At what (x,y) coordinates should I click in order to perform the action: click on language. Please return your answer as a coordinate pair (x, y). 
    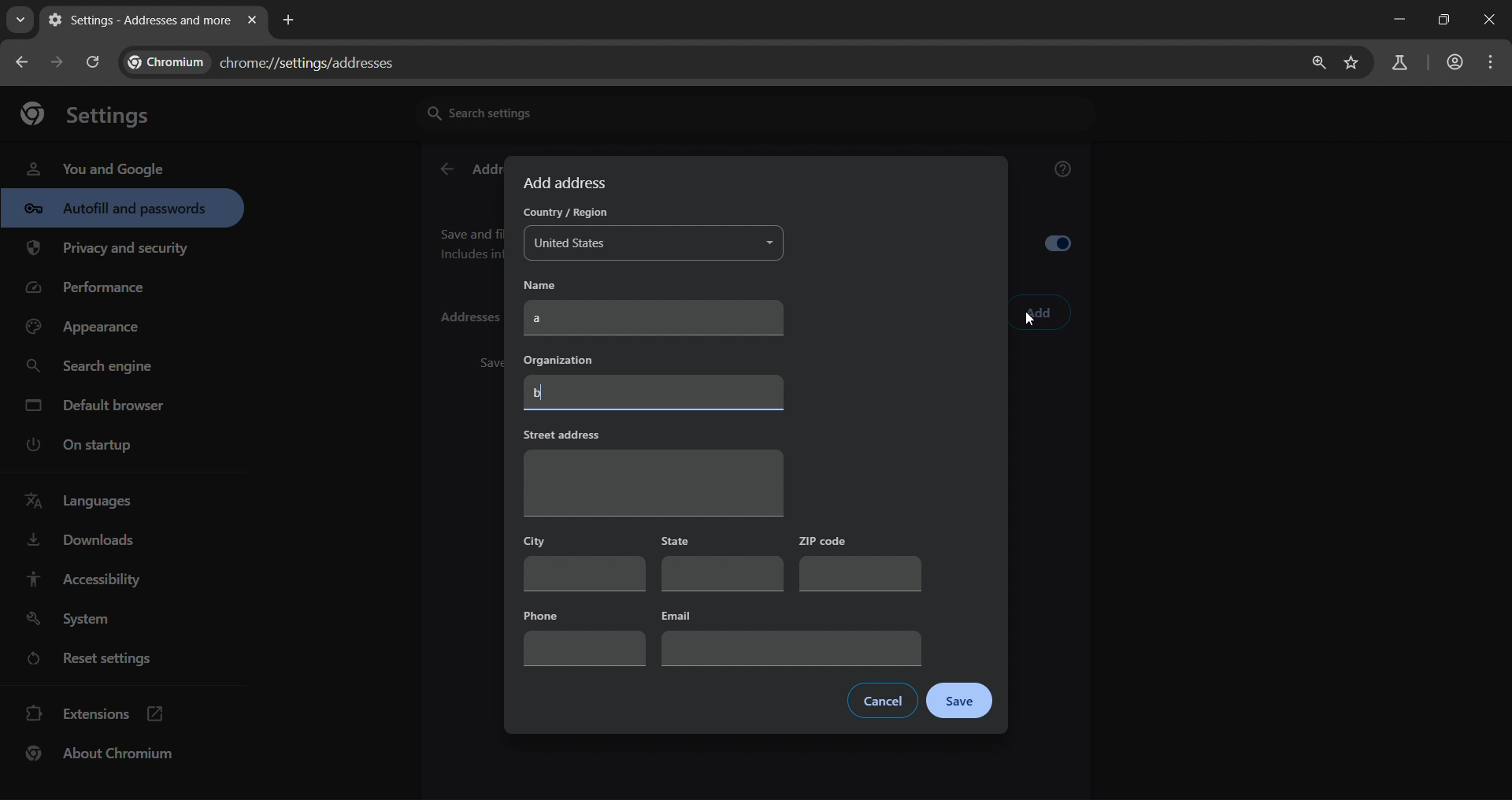
    Looking at the image, I should click on (83, 502).